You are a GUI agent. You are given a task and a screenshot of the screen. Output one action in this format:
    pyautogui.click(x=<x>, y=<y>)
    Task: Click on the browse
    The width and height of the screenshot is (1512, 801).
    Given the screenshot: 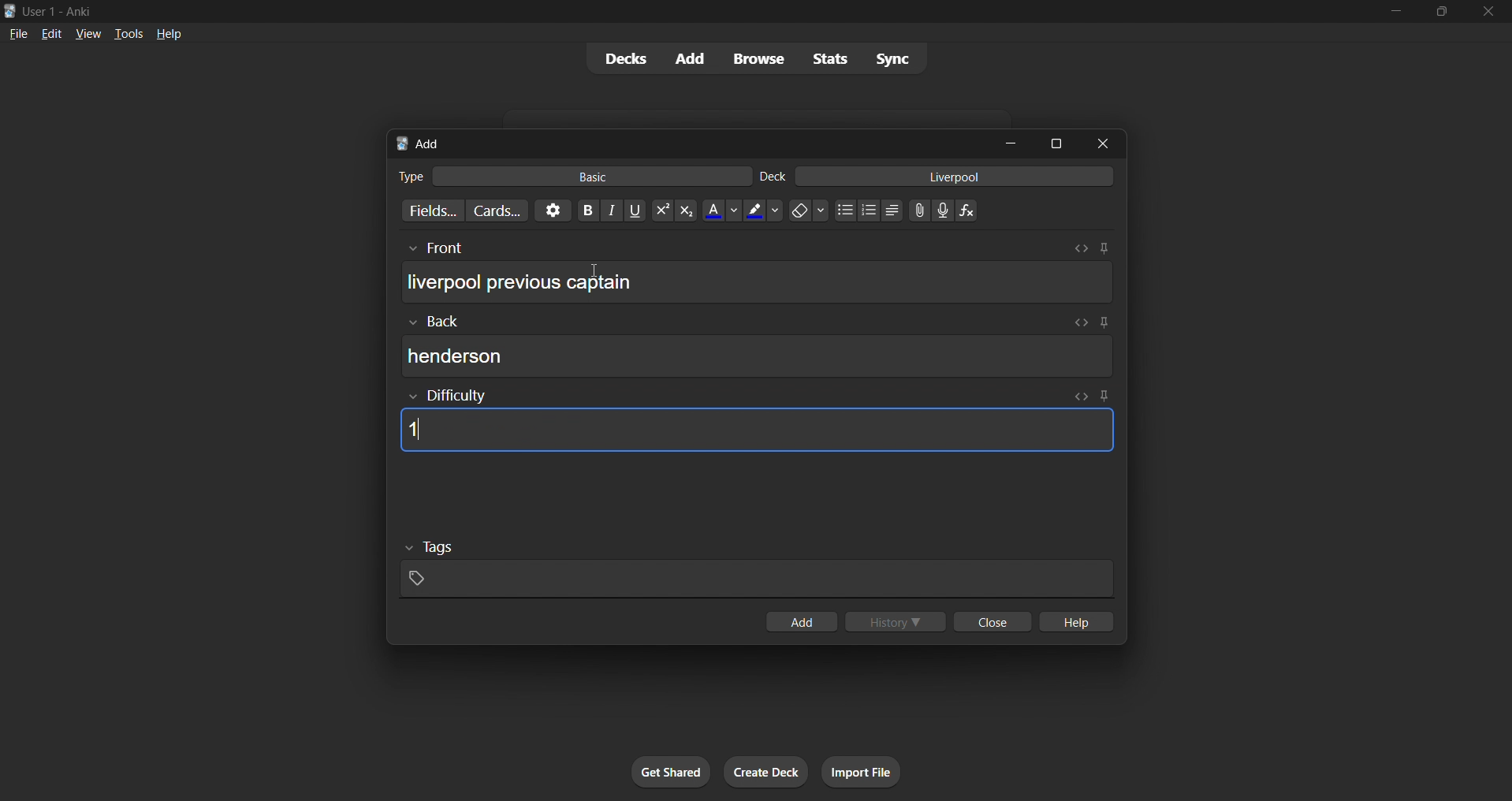 What is the action you would take?
    pyautogui.click(x=755, y=58)
    